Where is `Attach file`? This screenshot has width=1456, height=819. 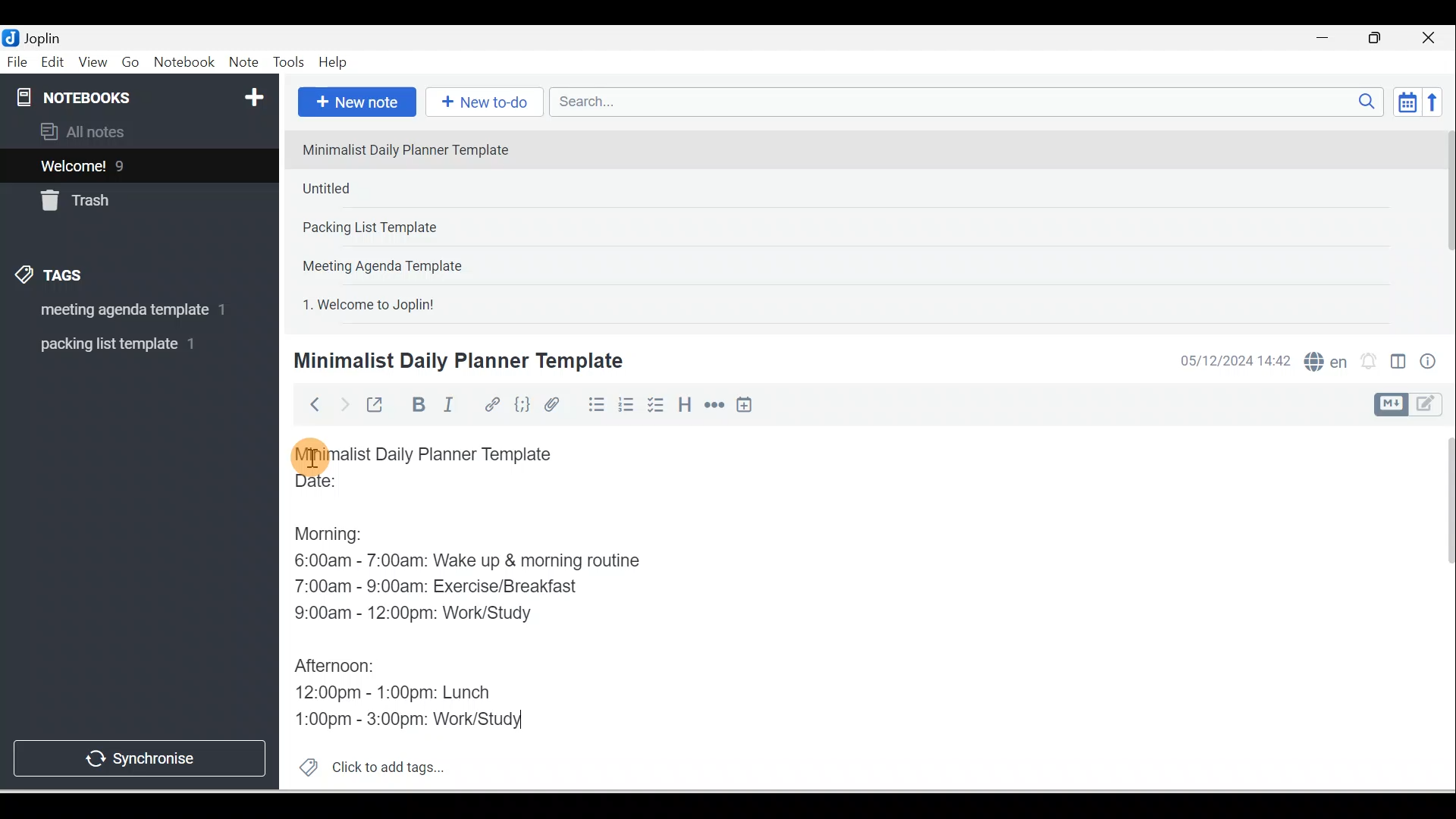
Attach file is located at coordinates (556, 404).